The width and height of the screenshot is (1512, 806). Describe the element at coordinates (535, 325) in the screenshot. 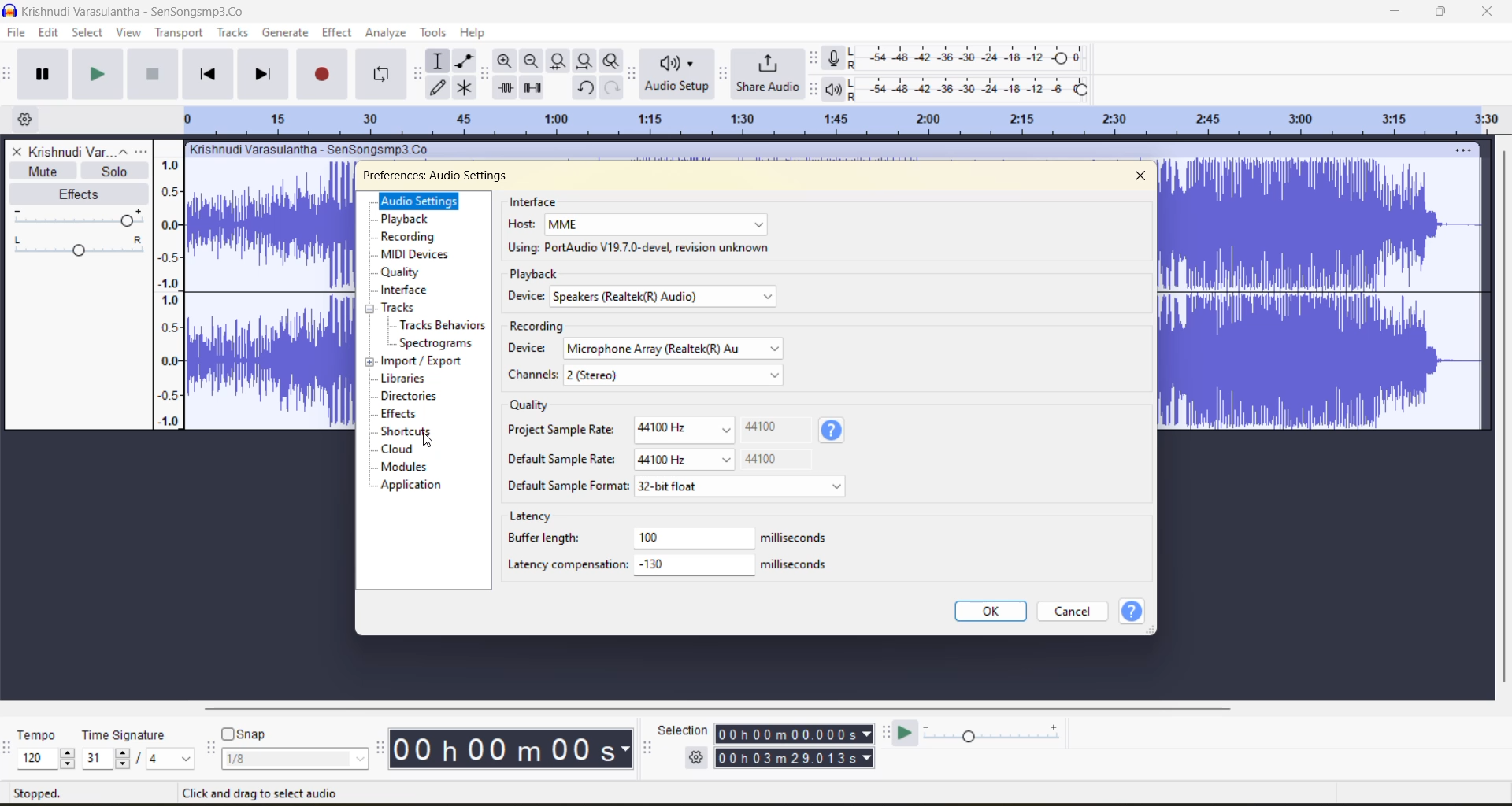

I see `recording` at that location.